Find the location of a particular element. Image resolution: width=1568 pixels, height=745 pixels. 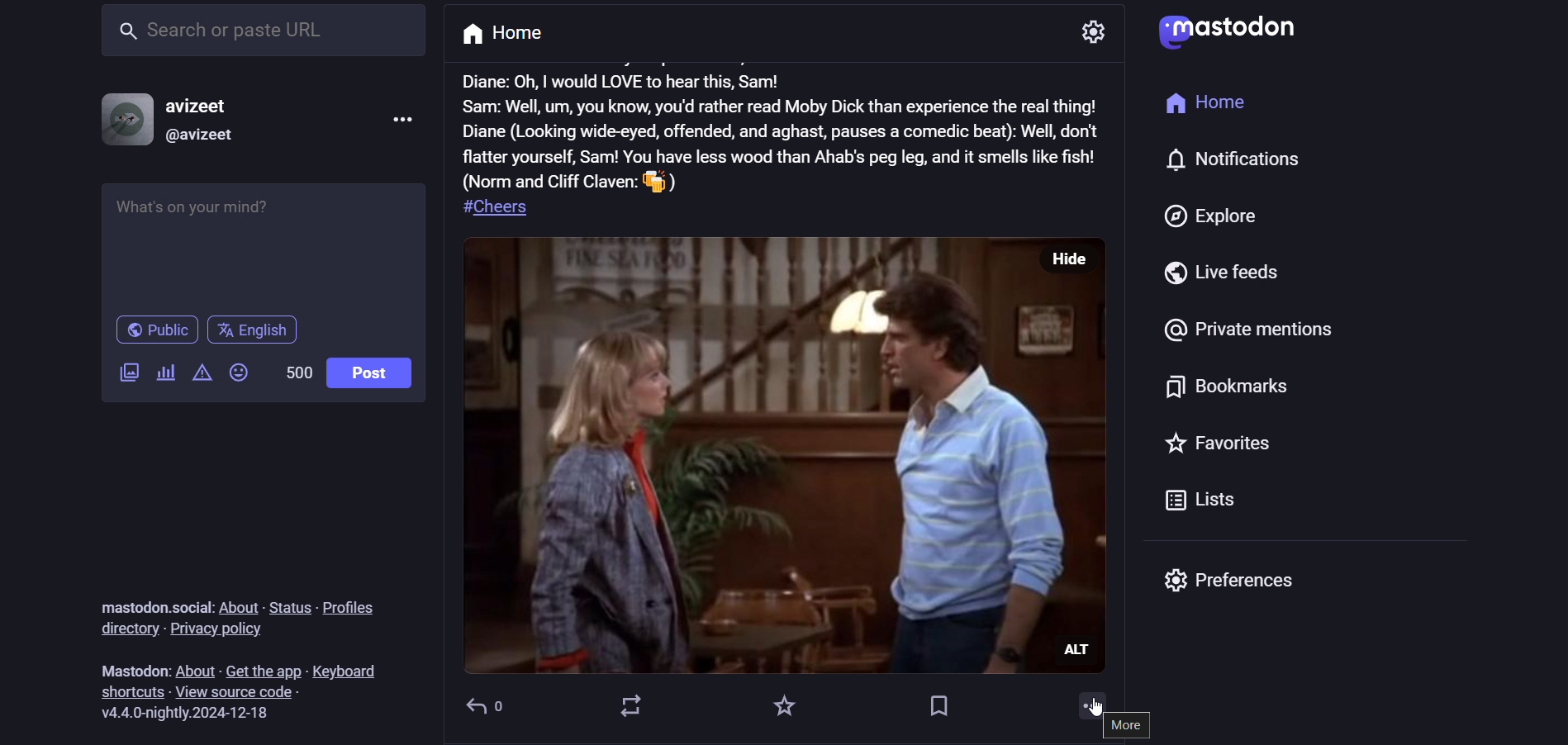

mastodon.social is located at coordinates (149, 600).